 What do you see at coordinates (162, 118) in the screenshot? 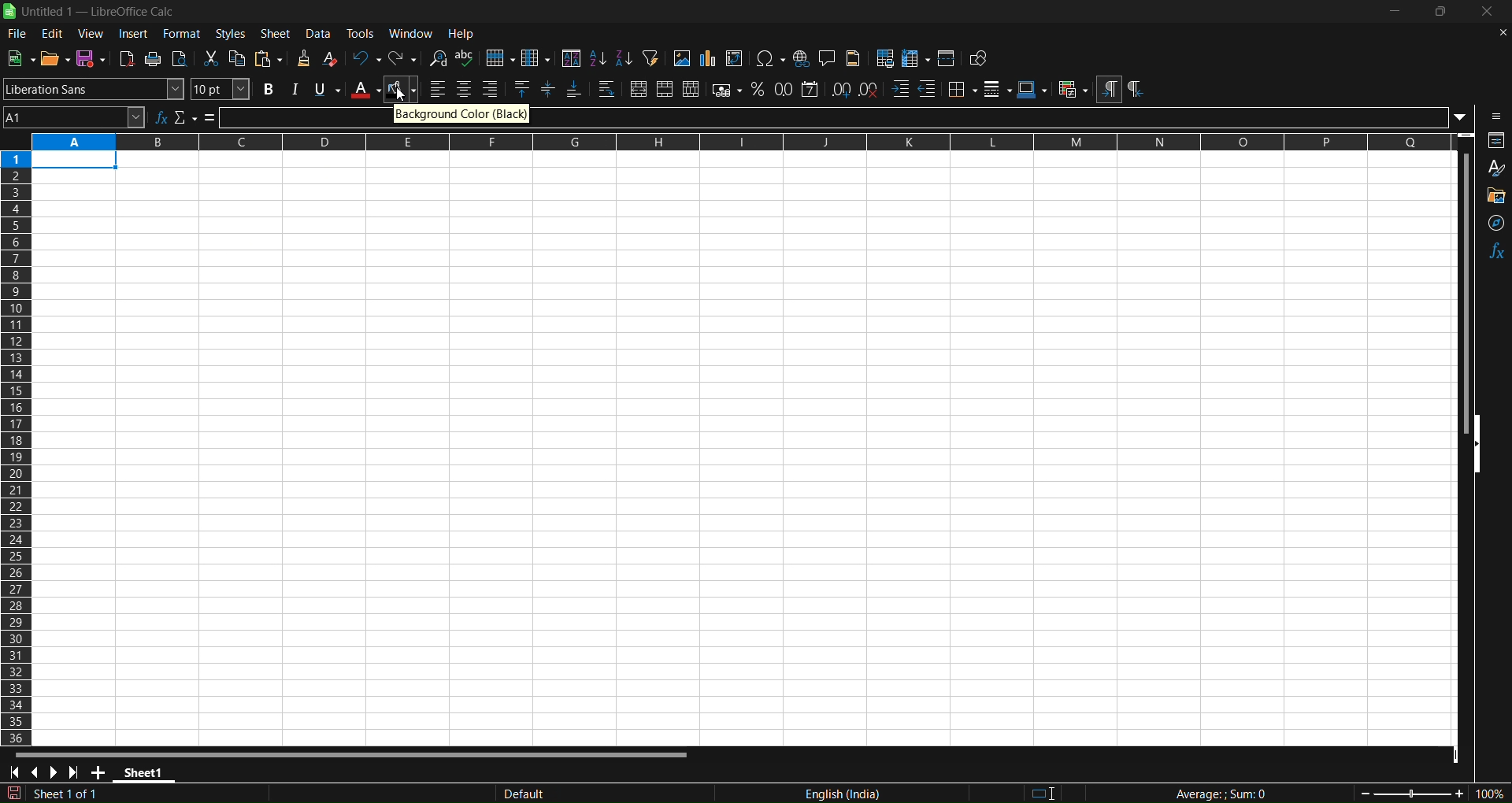
I see `function wizard` at bounding box center [162, 118].